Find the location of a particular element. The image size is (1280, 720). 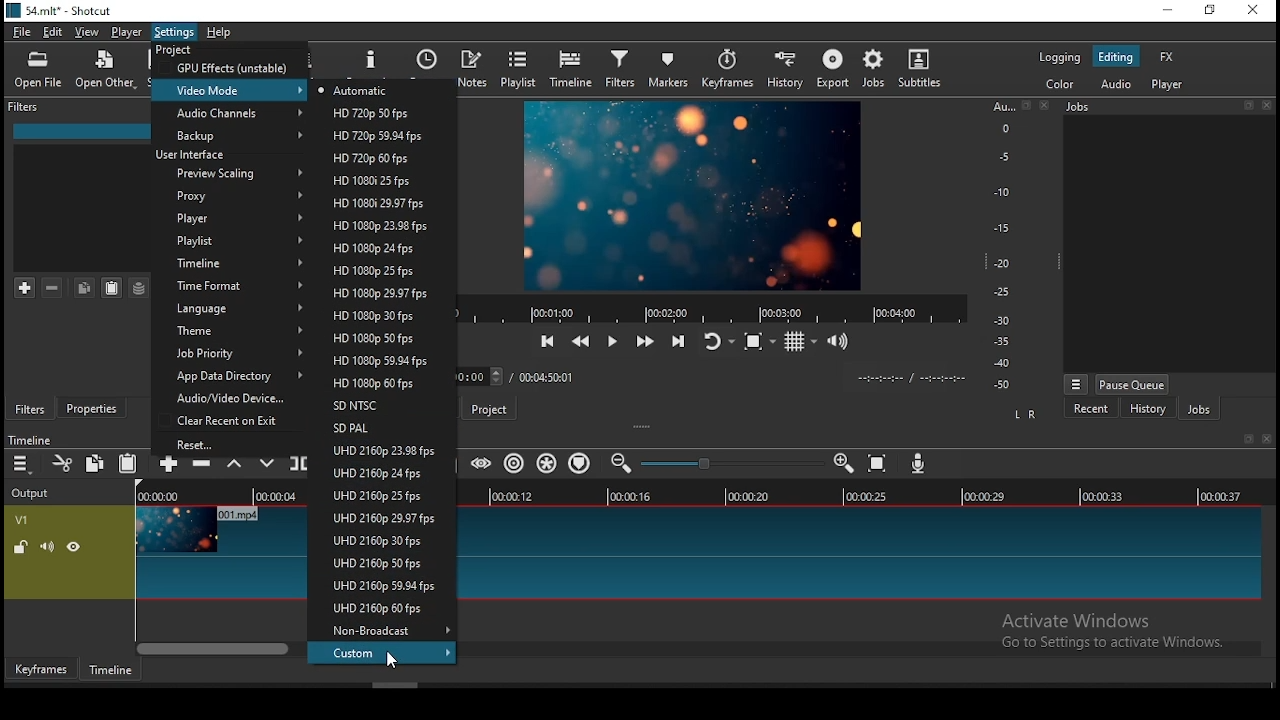

pause queue is located at coordinates (1132, 384).